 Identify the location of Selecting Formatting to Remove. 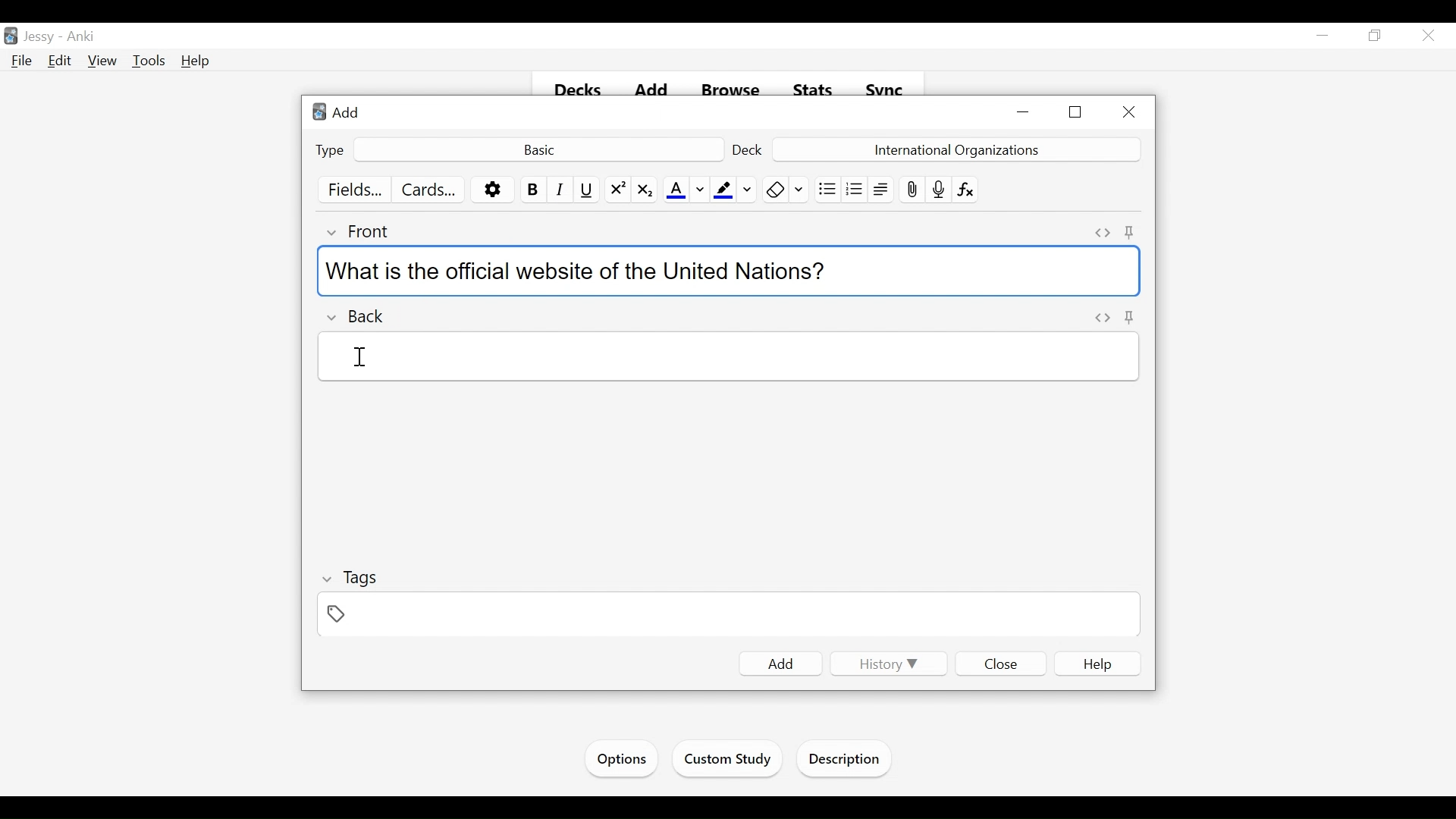
(799, 189).